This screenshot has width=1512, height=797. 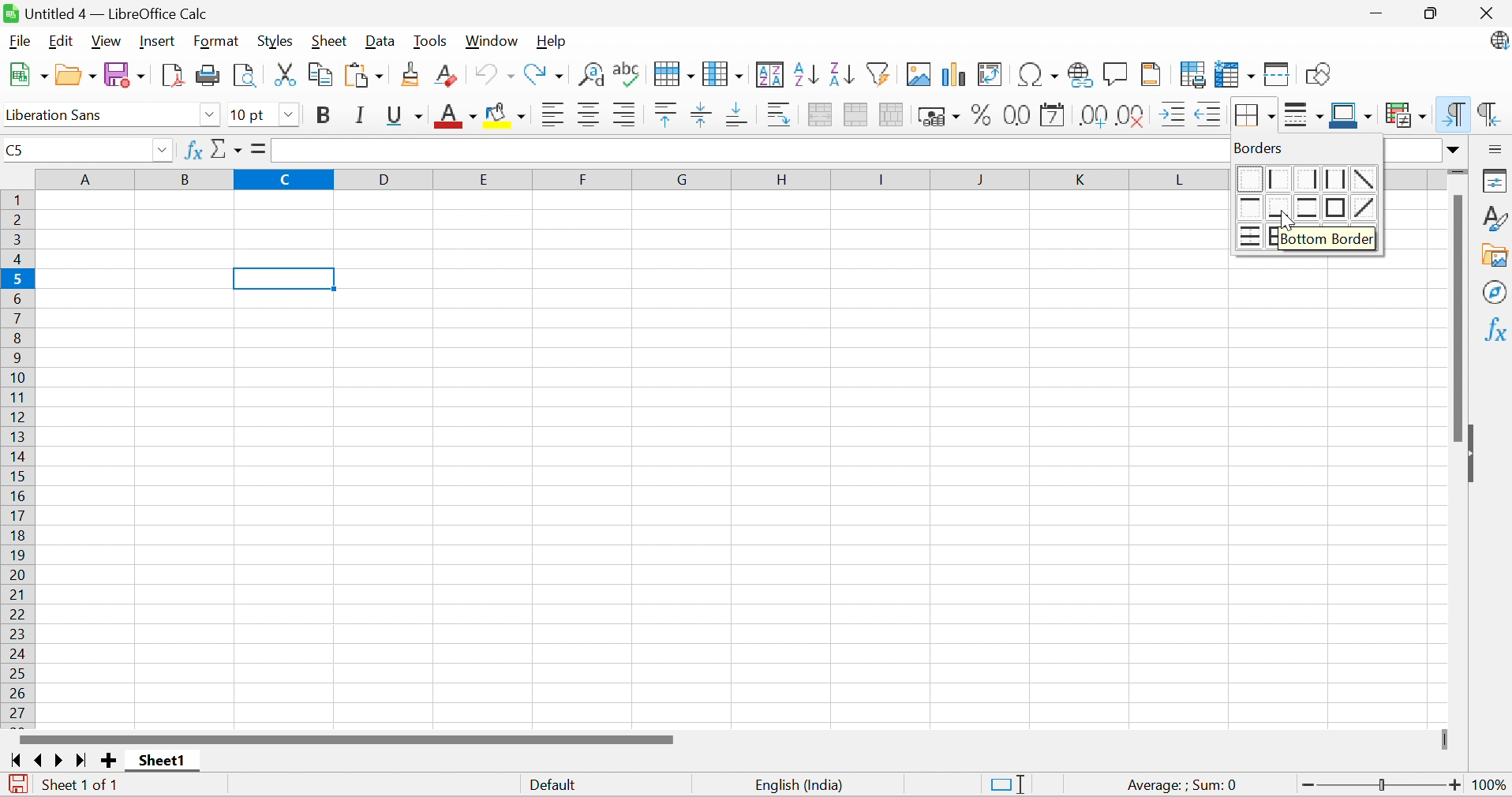 I want to click on Scroll to first sheet, so click(x=17, y=761).